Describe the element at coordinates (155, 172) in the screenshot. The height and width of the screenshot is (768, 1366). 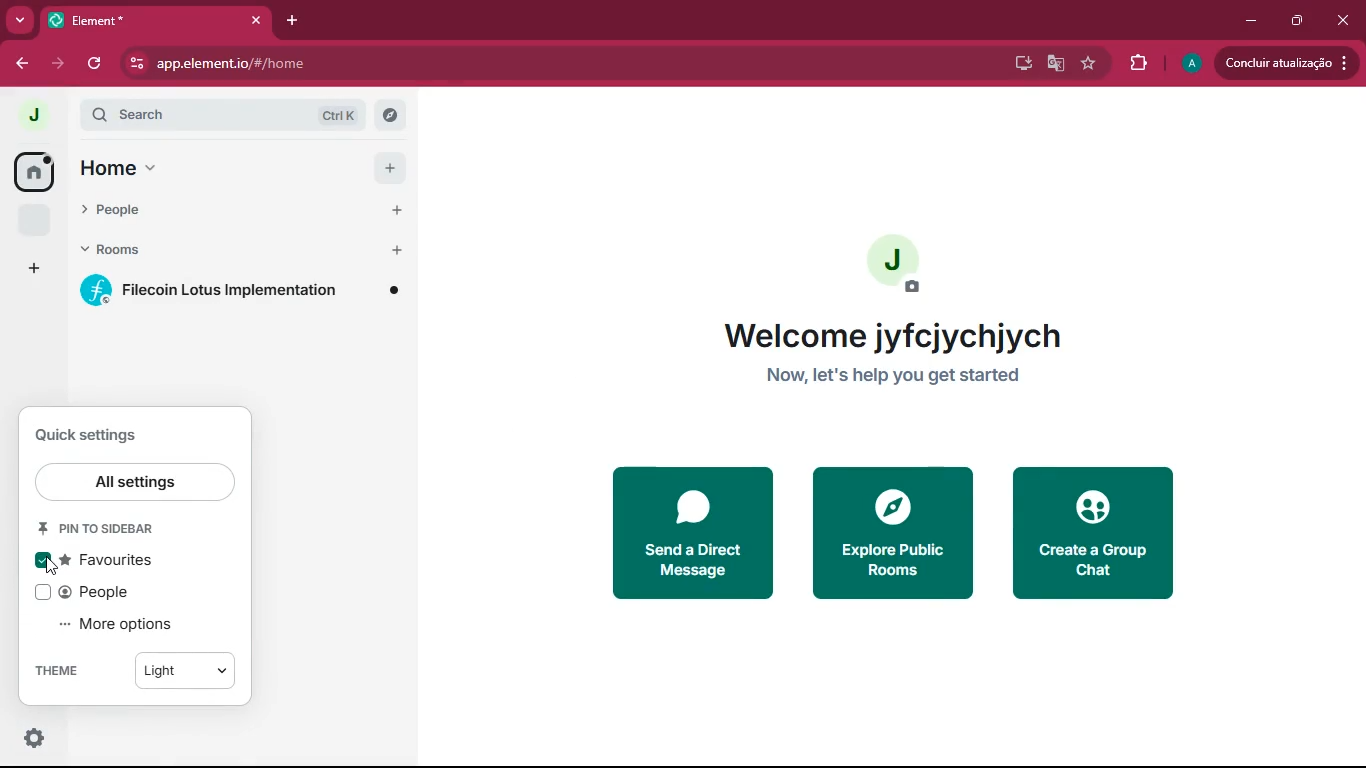
I see `menu` at that location.